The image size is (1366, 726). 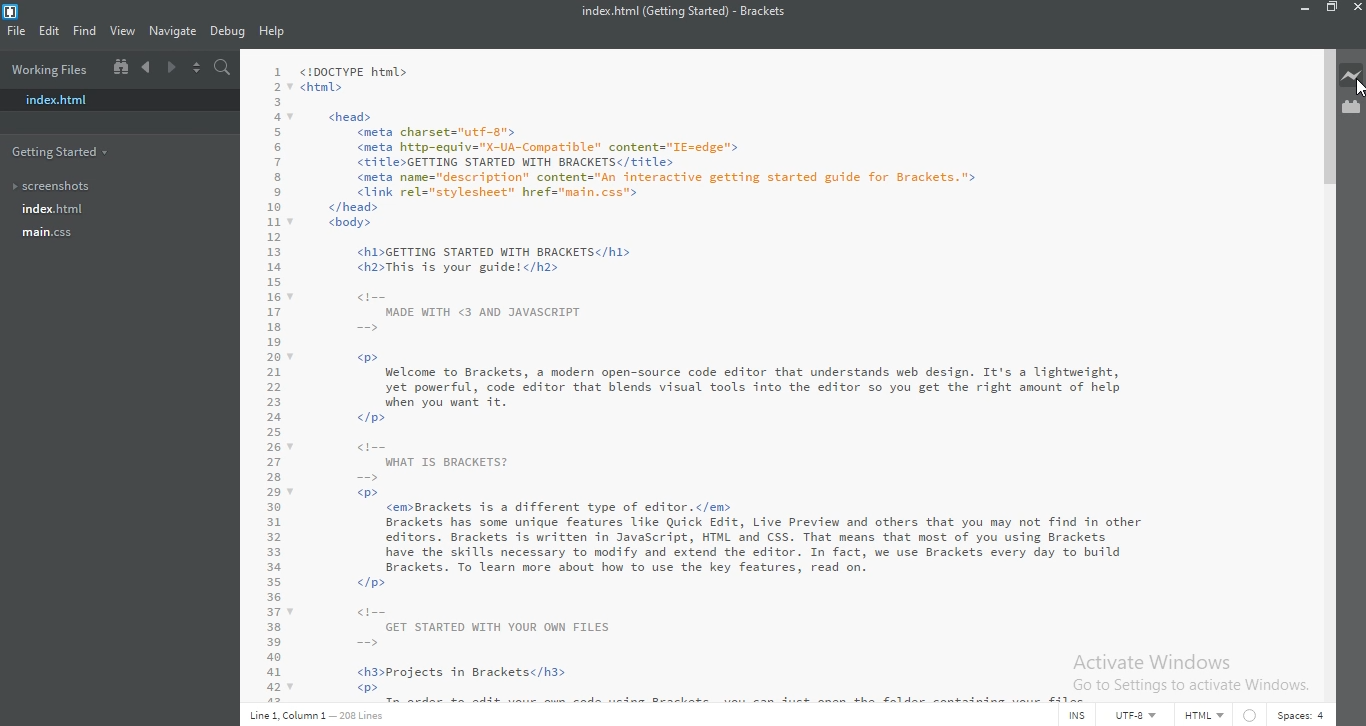 What do you see at coordinates (169, 69) in the screenshot?
I see `Next document` at bounding box center [169, 69].